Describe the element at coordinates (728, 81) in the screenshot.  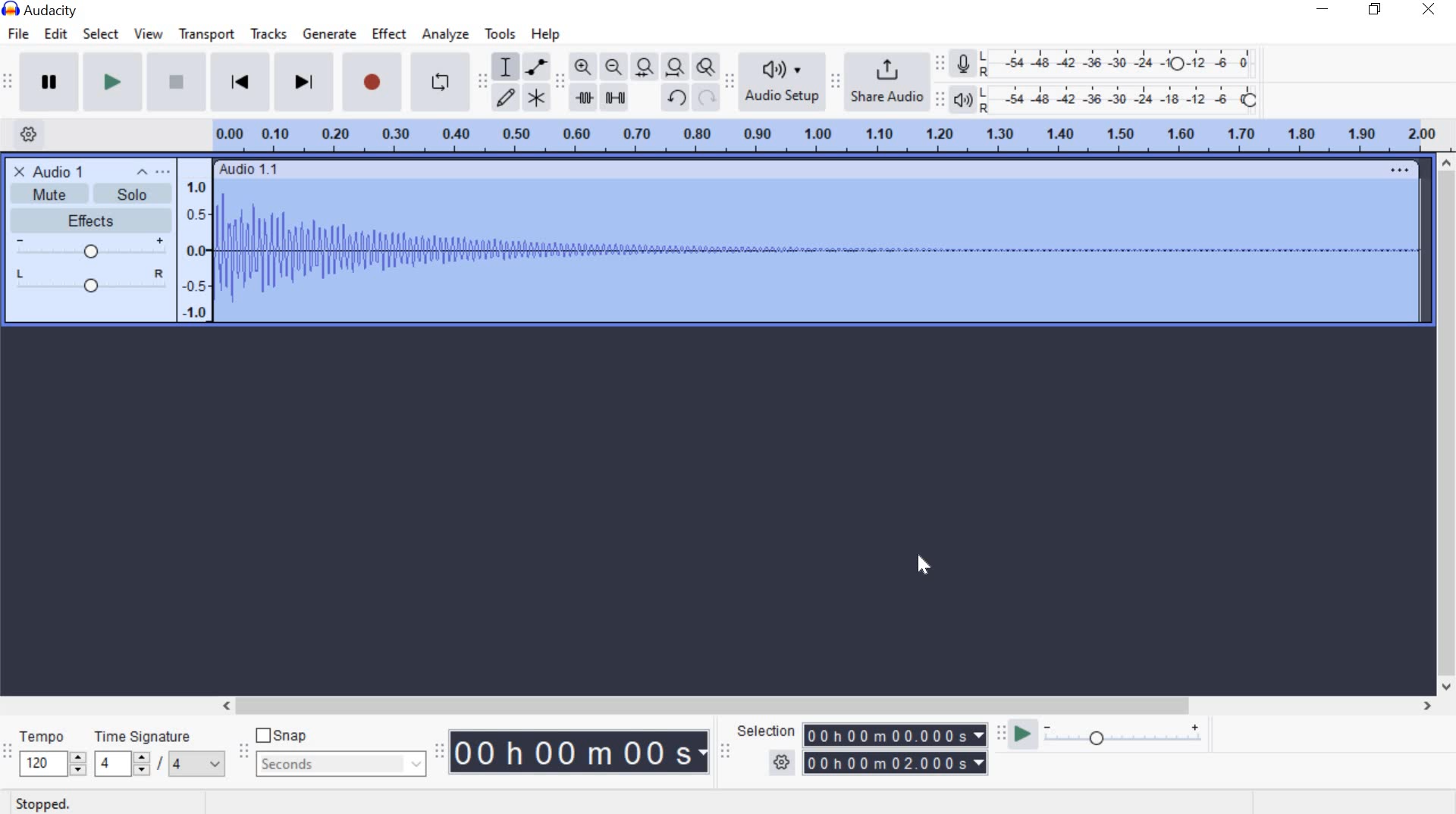
I see `Audio setup toolbar` at that location.